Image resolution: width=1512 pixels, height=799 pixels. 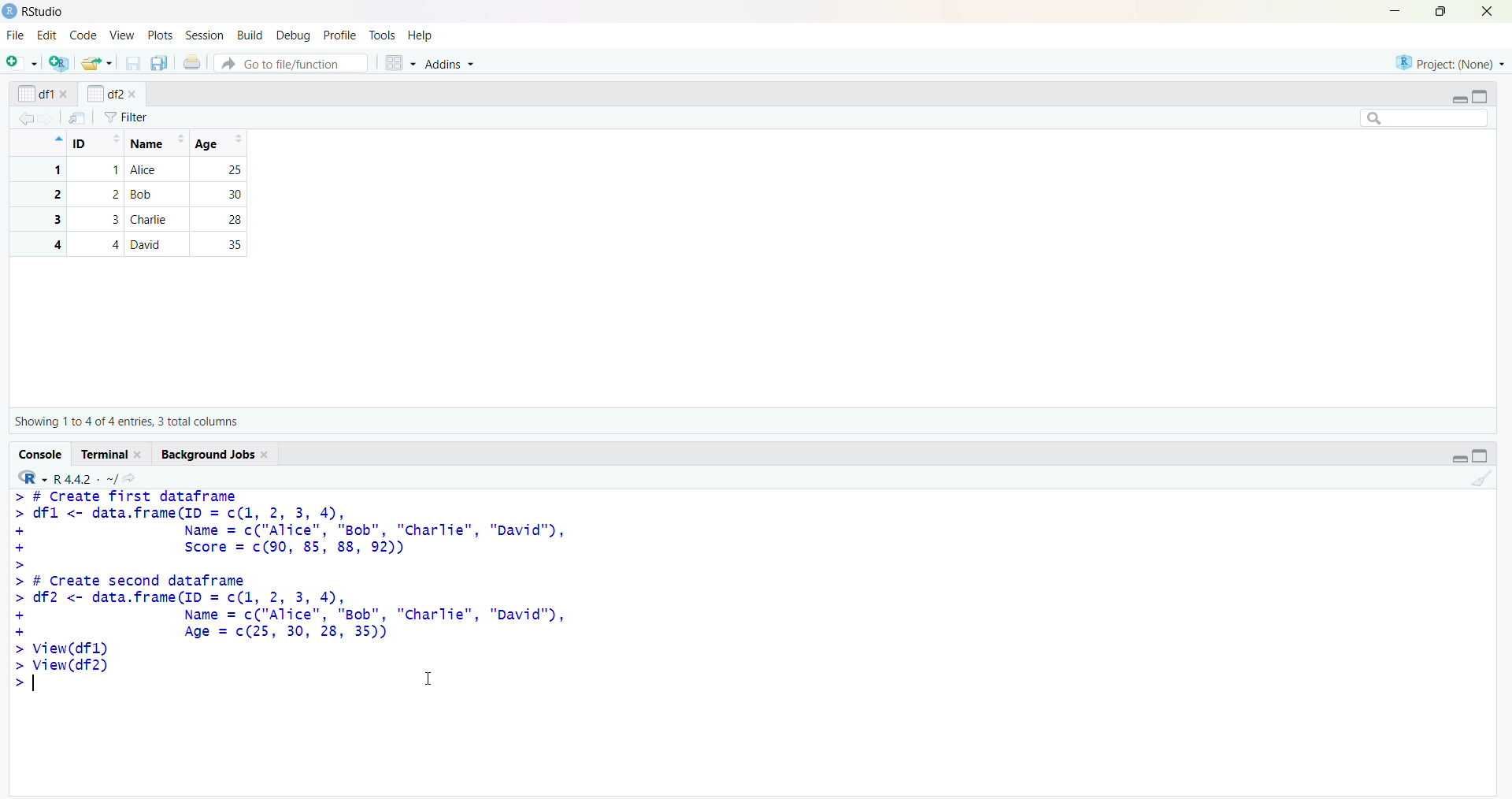 What do you see at coordinates (1395, 10) in the screenshot?
I see `minimise` at bounding box center [1395, 10].